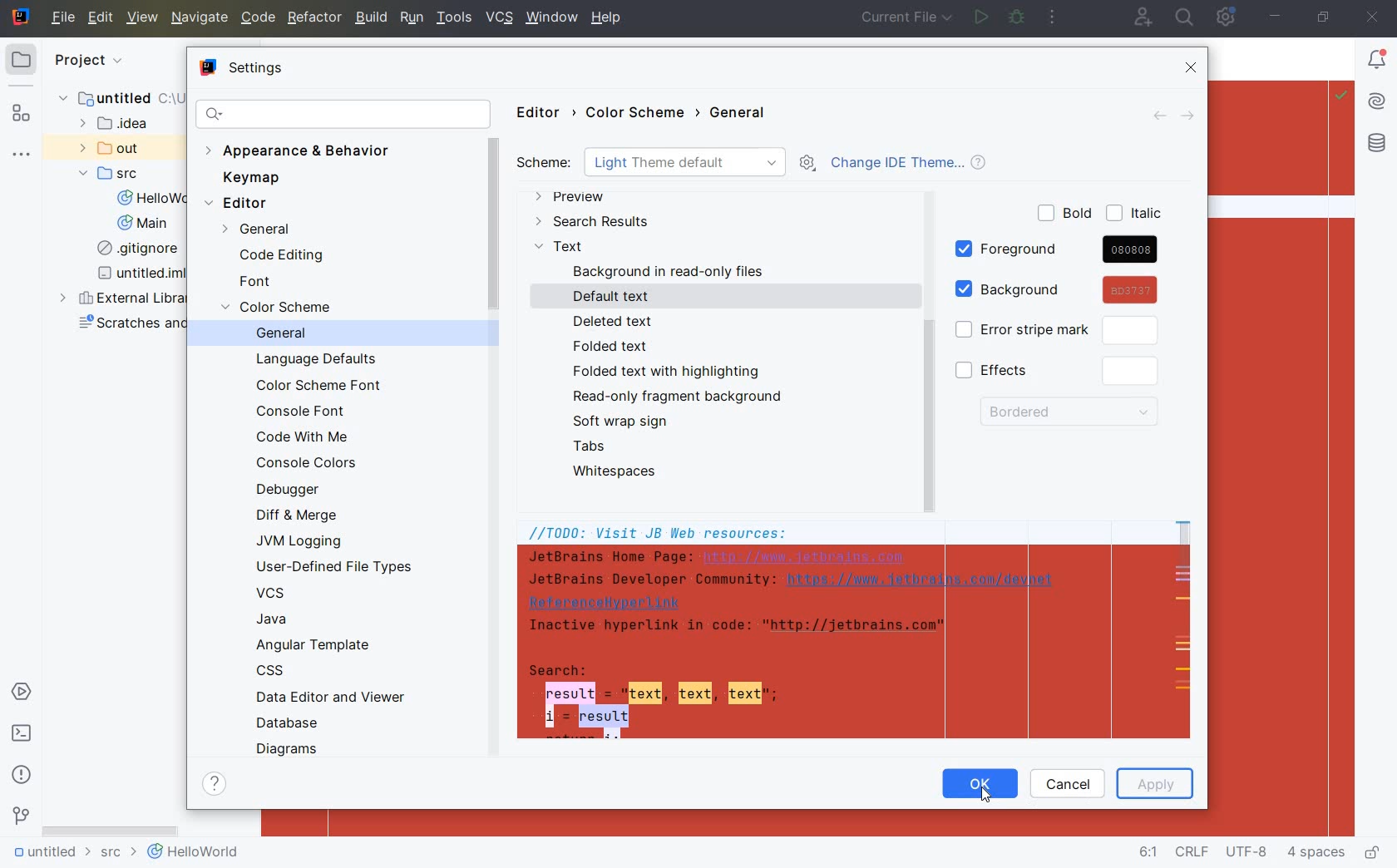  Describe the element at coordinates (1054, 16) in the screenshot. I see `more actions` at that location.